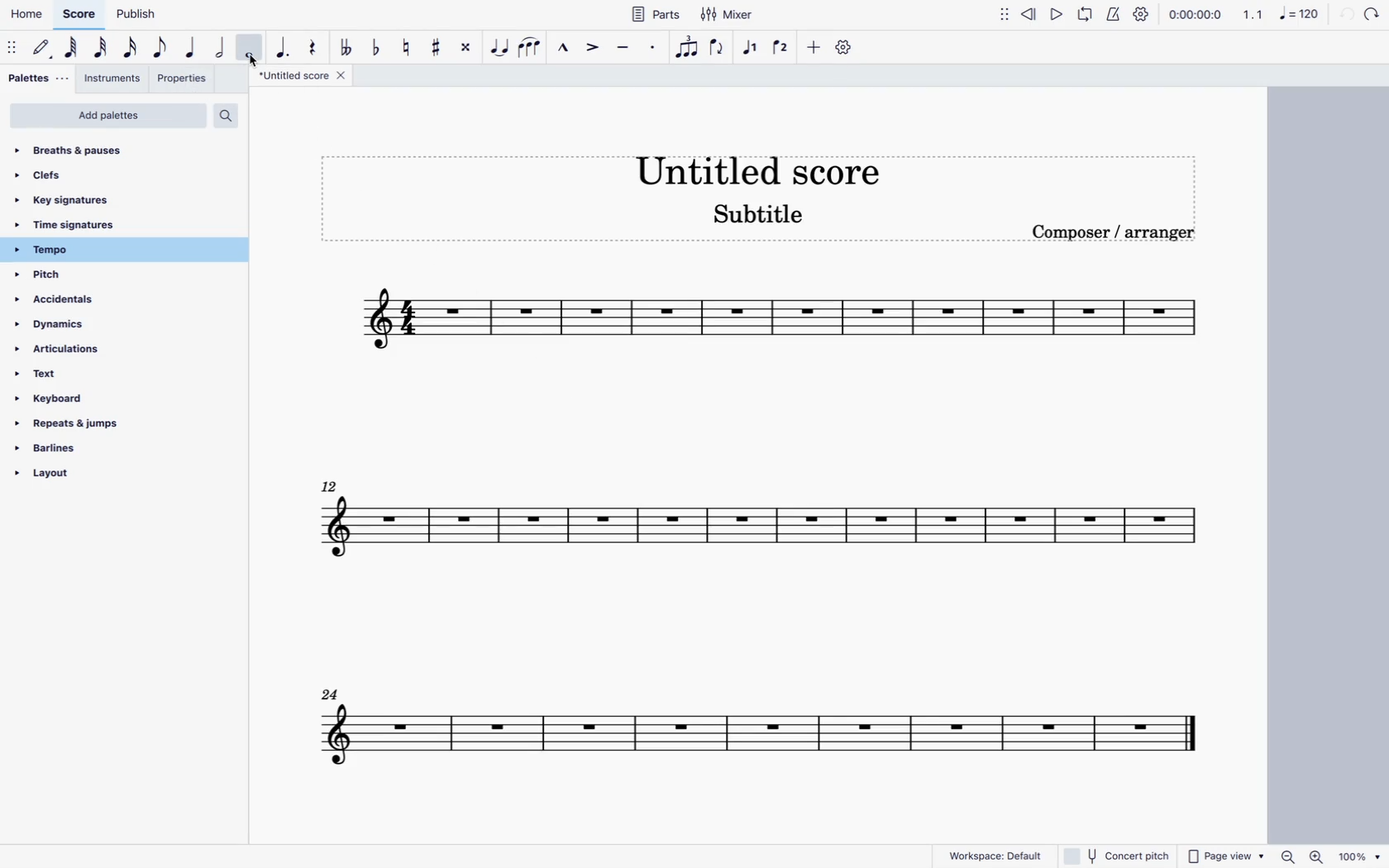 The width and height of the screenshot is (1389, 868). I want to click on keyboard, so click(83, 400).